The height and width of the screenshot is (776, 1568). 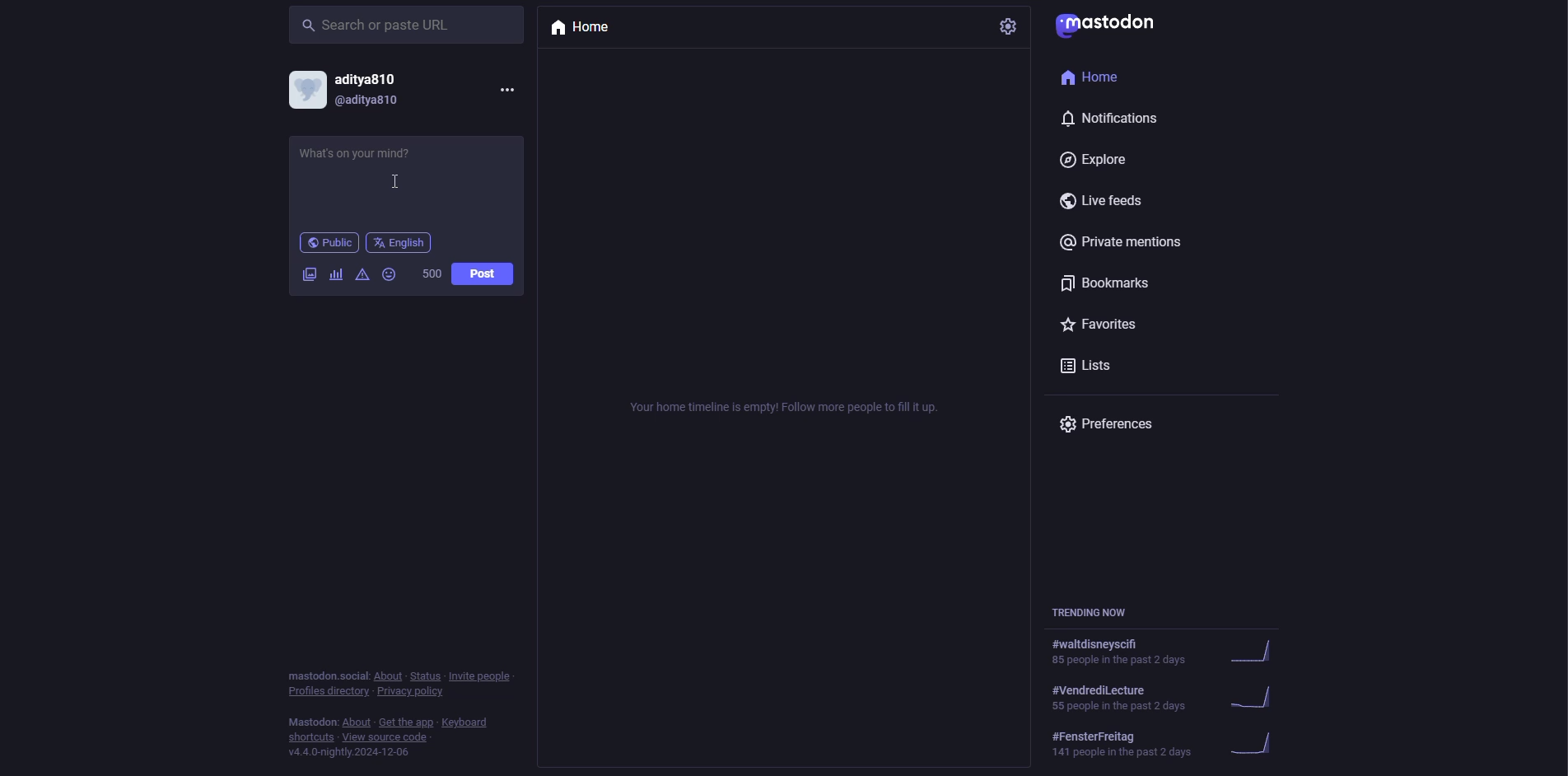 What do you see at coordinates (1107, 326) in the screenshot?
I see `favorites` at bounding box center [1107, 326].